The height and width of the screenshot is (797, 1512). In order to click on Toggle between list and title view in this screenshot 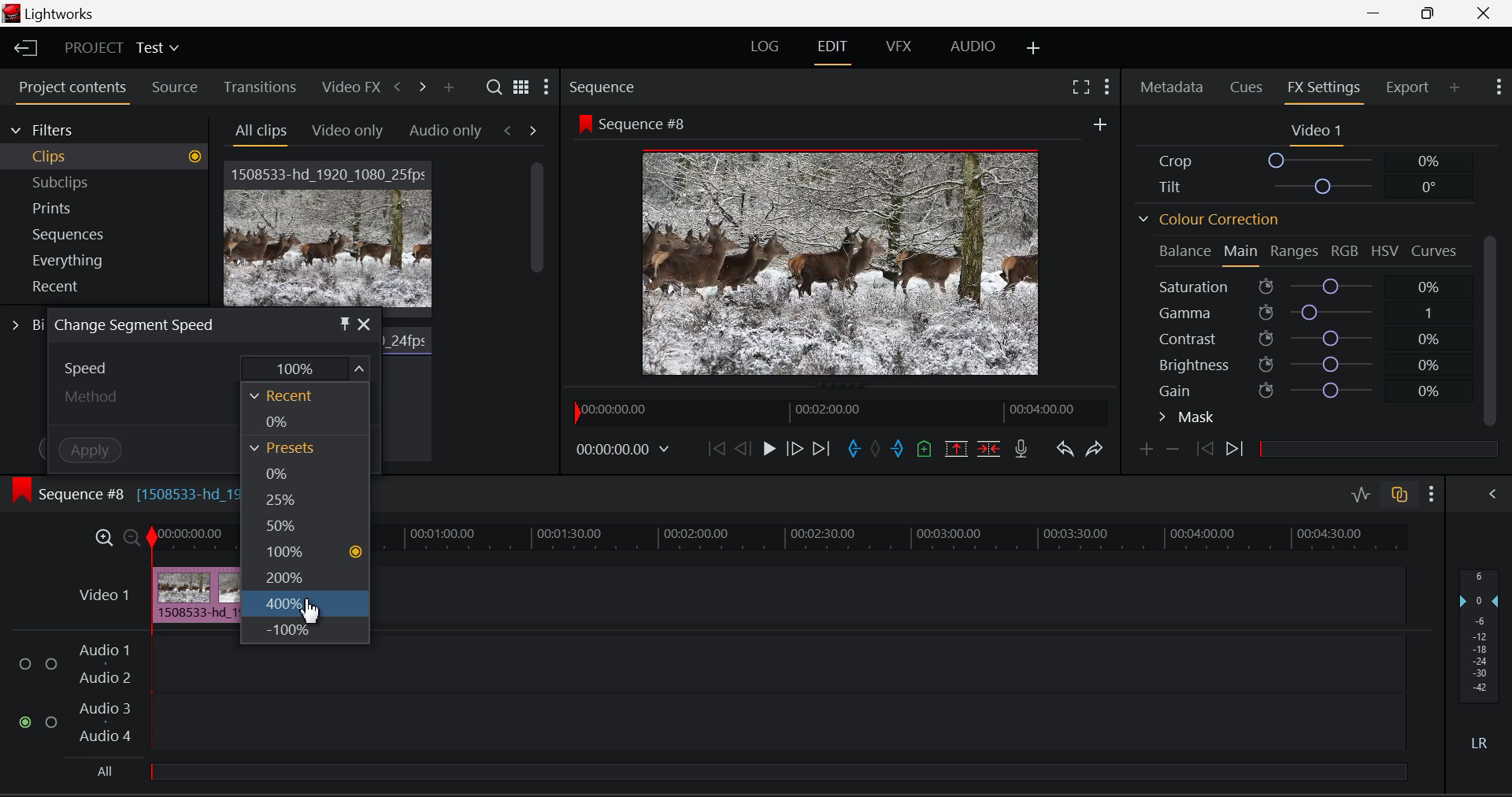, I will do `click(523, 87)`.